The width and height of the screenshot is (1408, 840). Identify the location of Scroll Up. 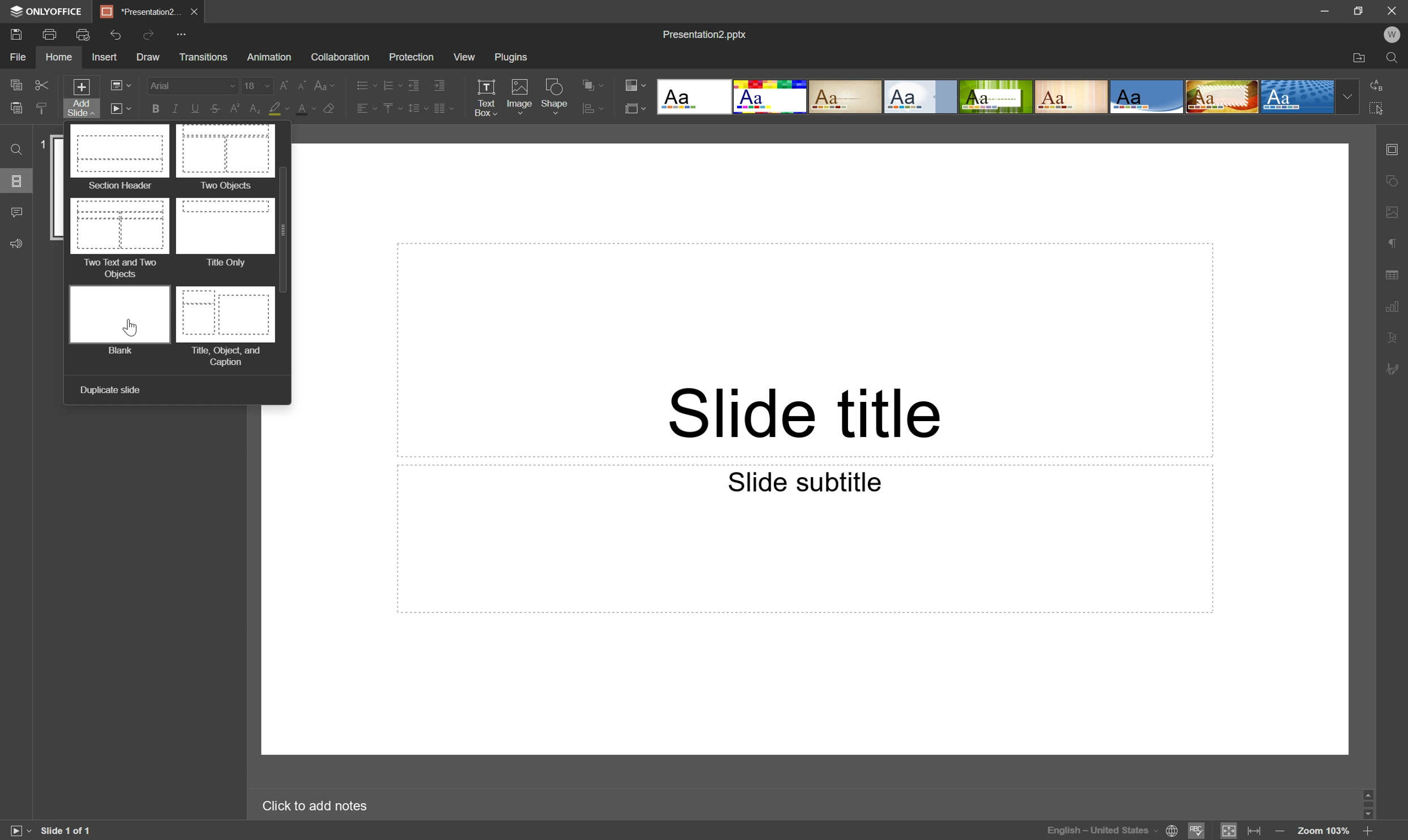
(1374, 792).